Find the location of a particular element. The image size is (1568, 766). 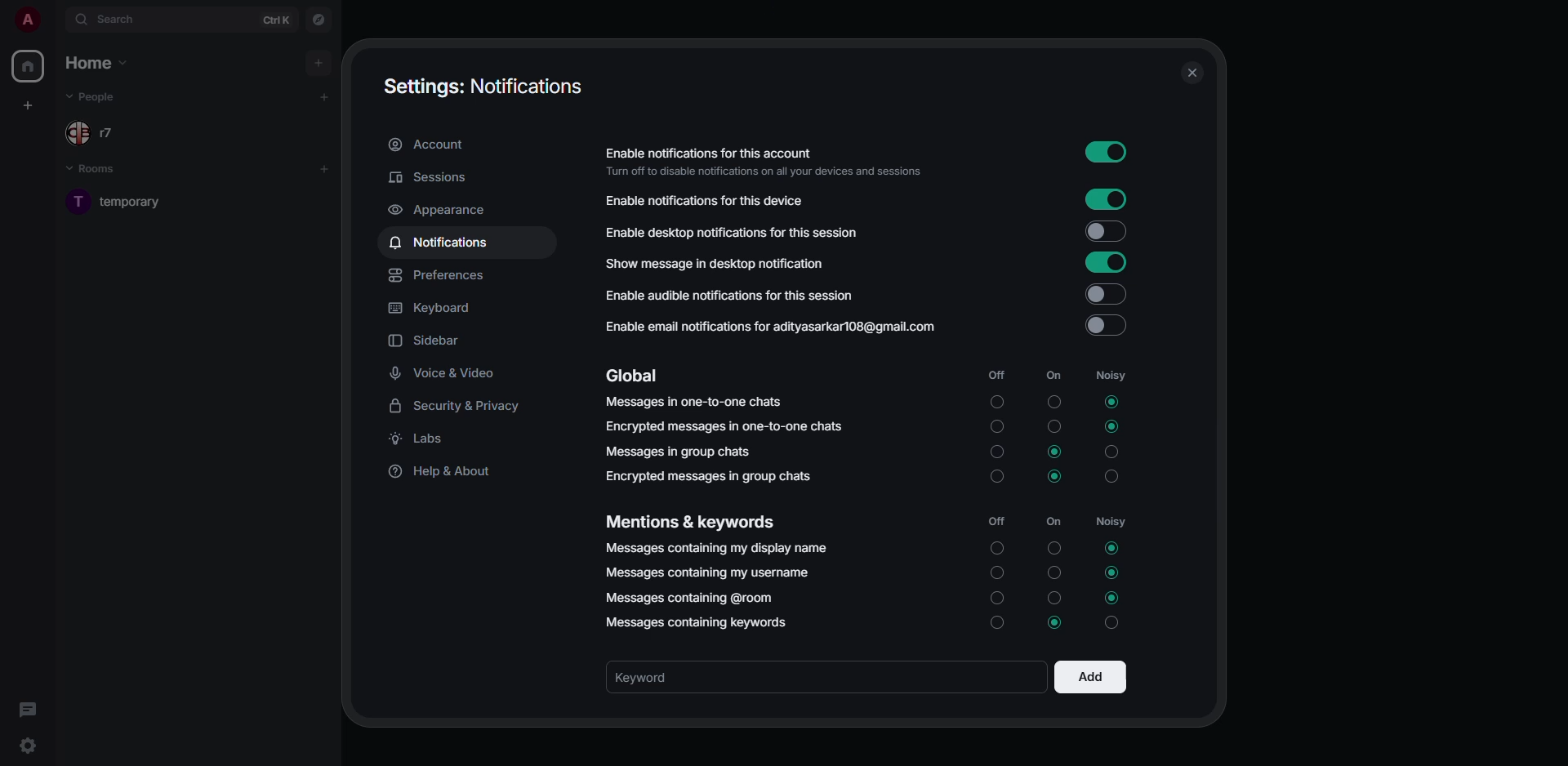

global is located at coordinates (634, 374).